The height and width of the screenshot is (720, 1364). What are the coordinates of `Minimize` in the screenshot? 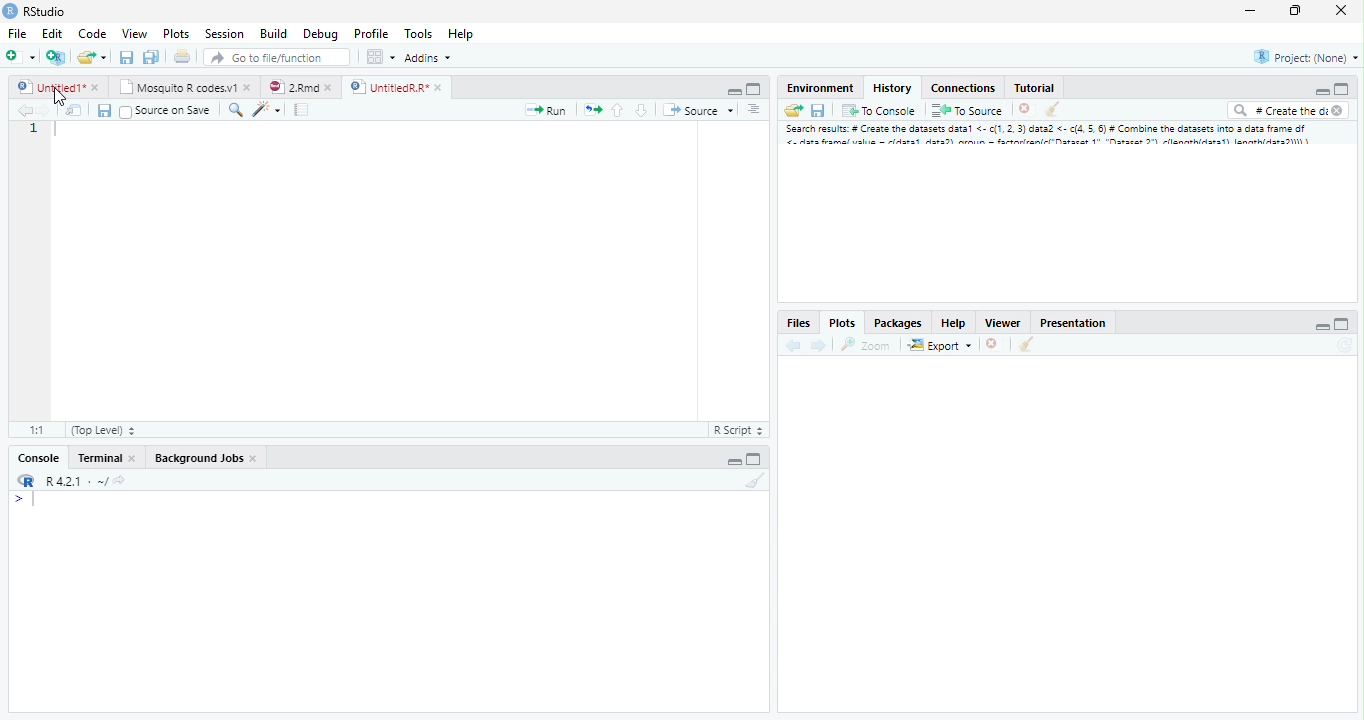 It's located at (733, 91).